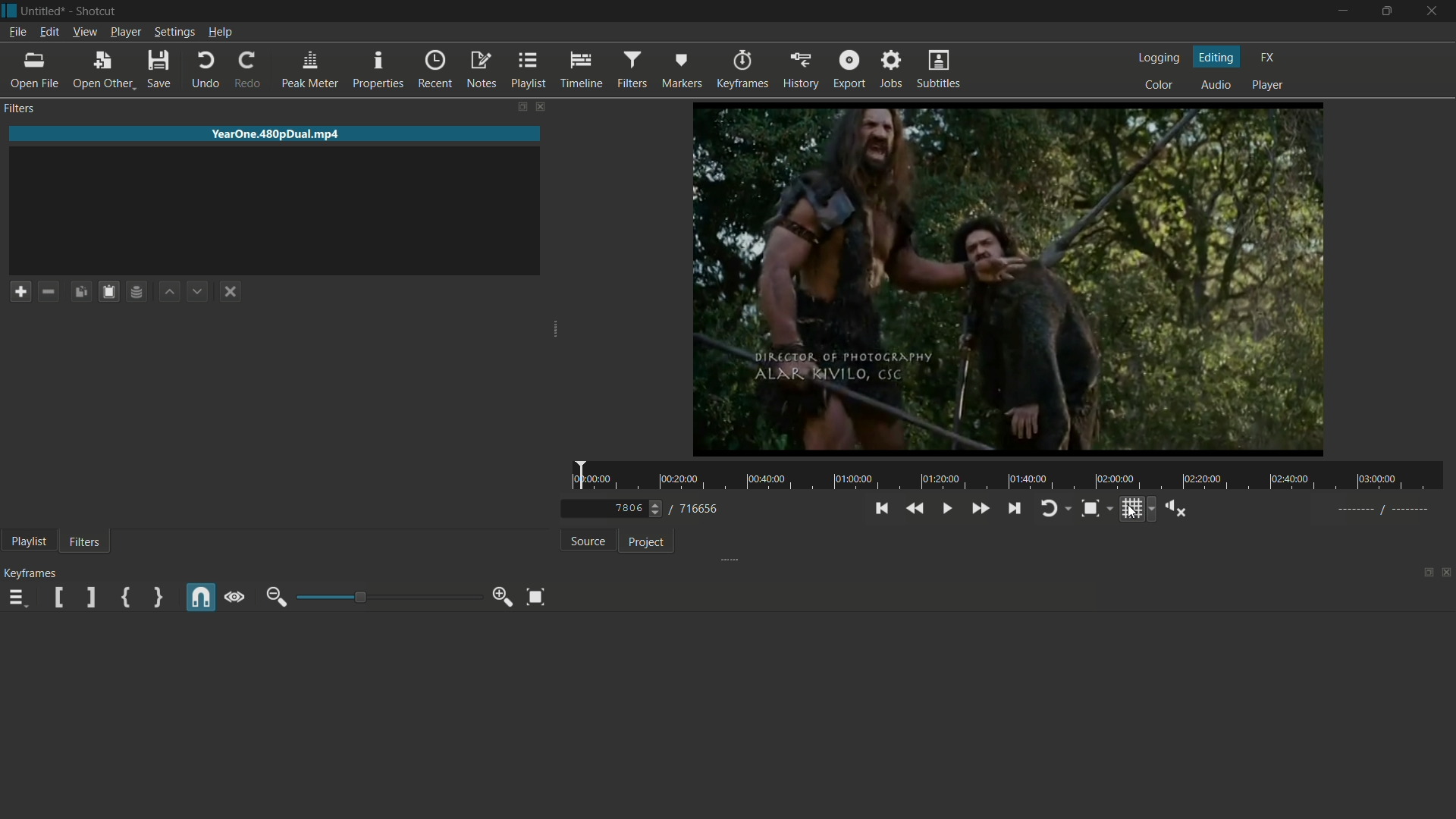 The width and height of the screenshot is (1456, 819). I want to click on change layout, so click(1423, 572).